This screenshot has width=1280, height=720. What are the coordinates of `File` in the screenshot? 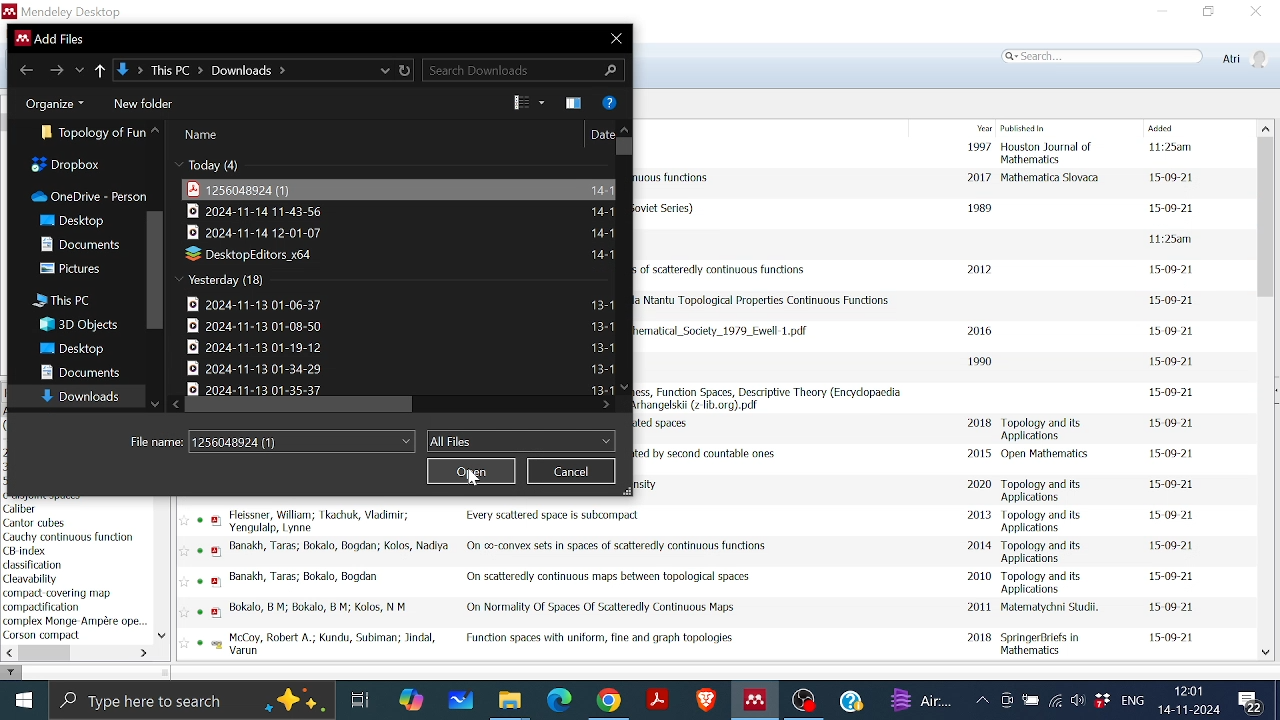 It's located at (604, 327).